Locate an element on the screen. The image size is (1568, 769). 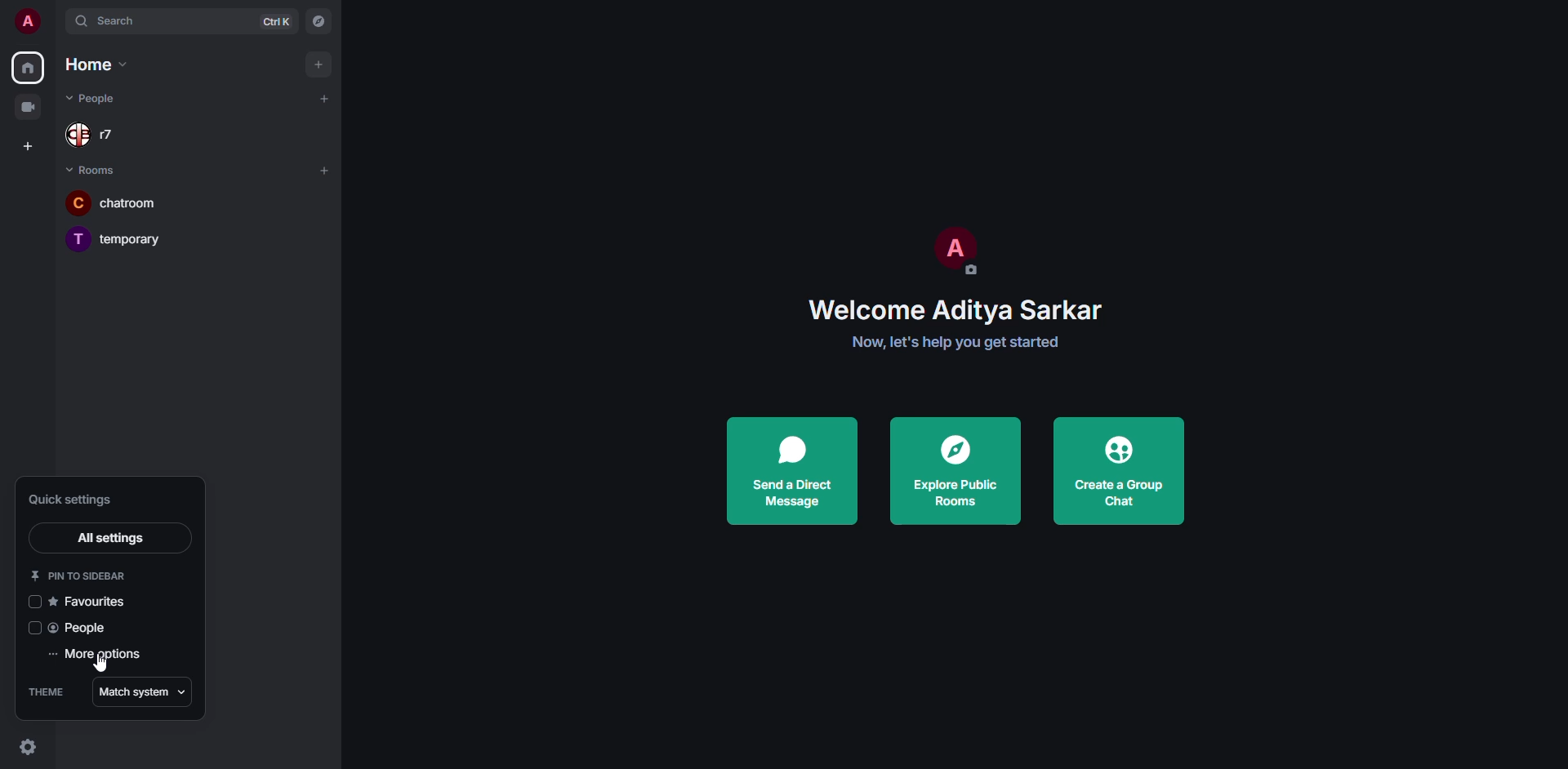
chatroom is located at coordinates (129, 201).